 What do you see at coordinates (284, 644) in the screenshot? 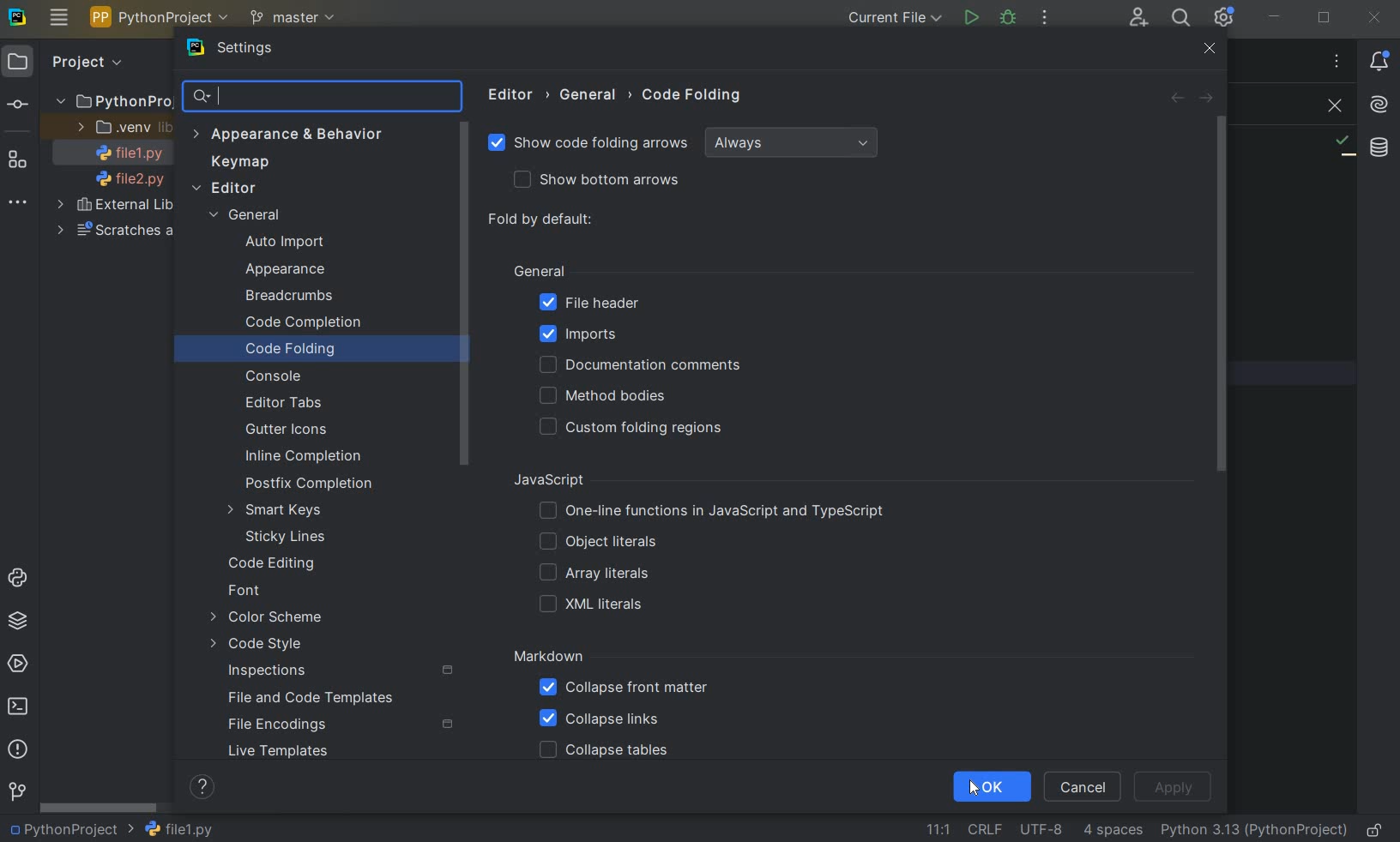
I see `CODE STYLE` at bounding box center [284, 644].